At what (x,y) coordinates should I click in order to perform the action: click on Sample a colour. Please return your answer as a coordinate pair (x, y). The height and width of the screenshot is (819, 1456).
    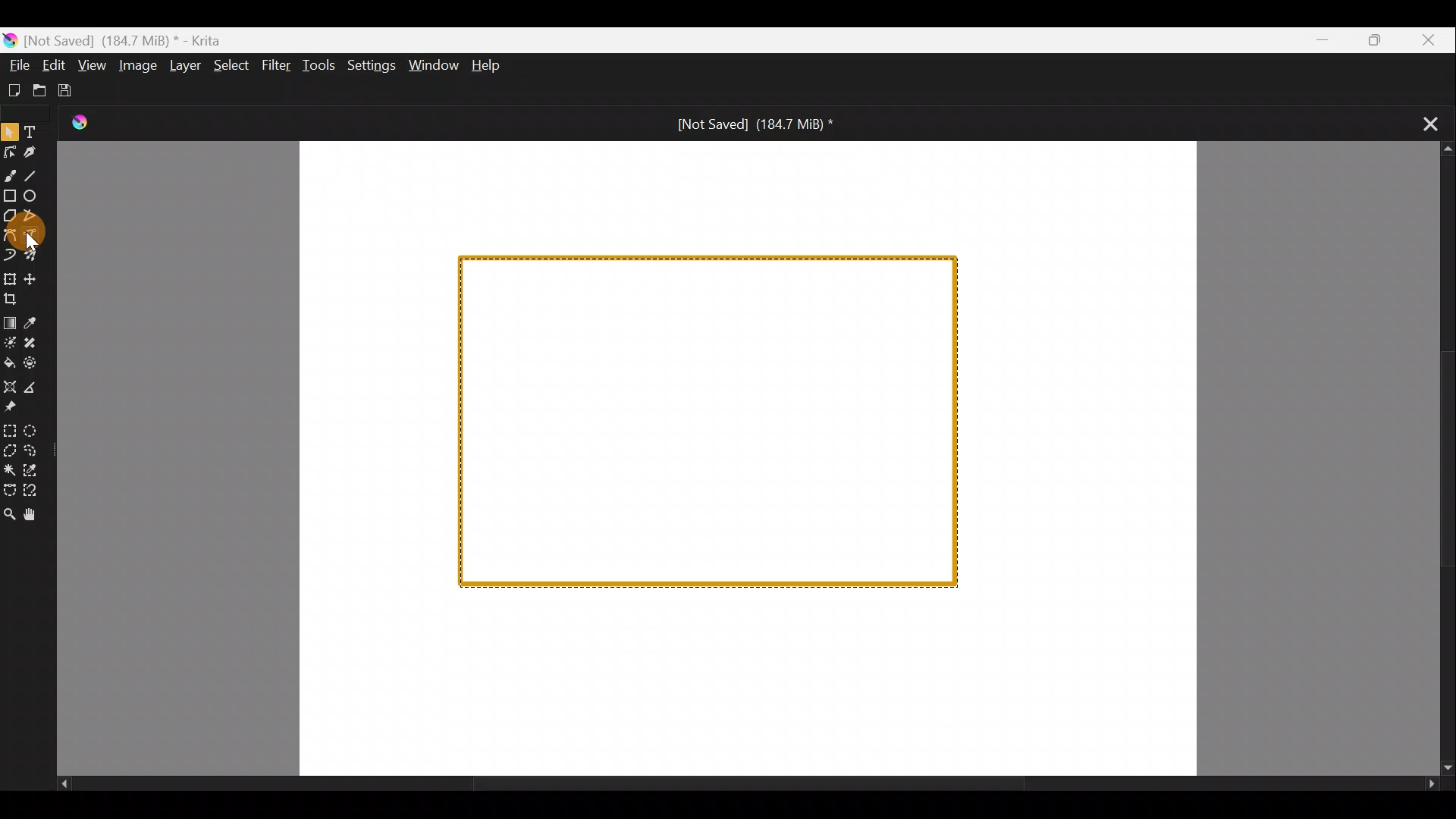
    Looking at the image, I should click on (33, 323).